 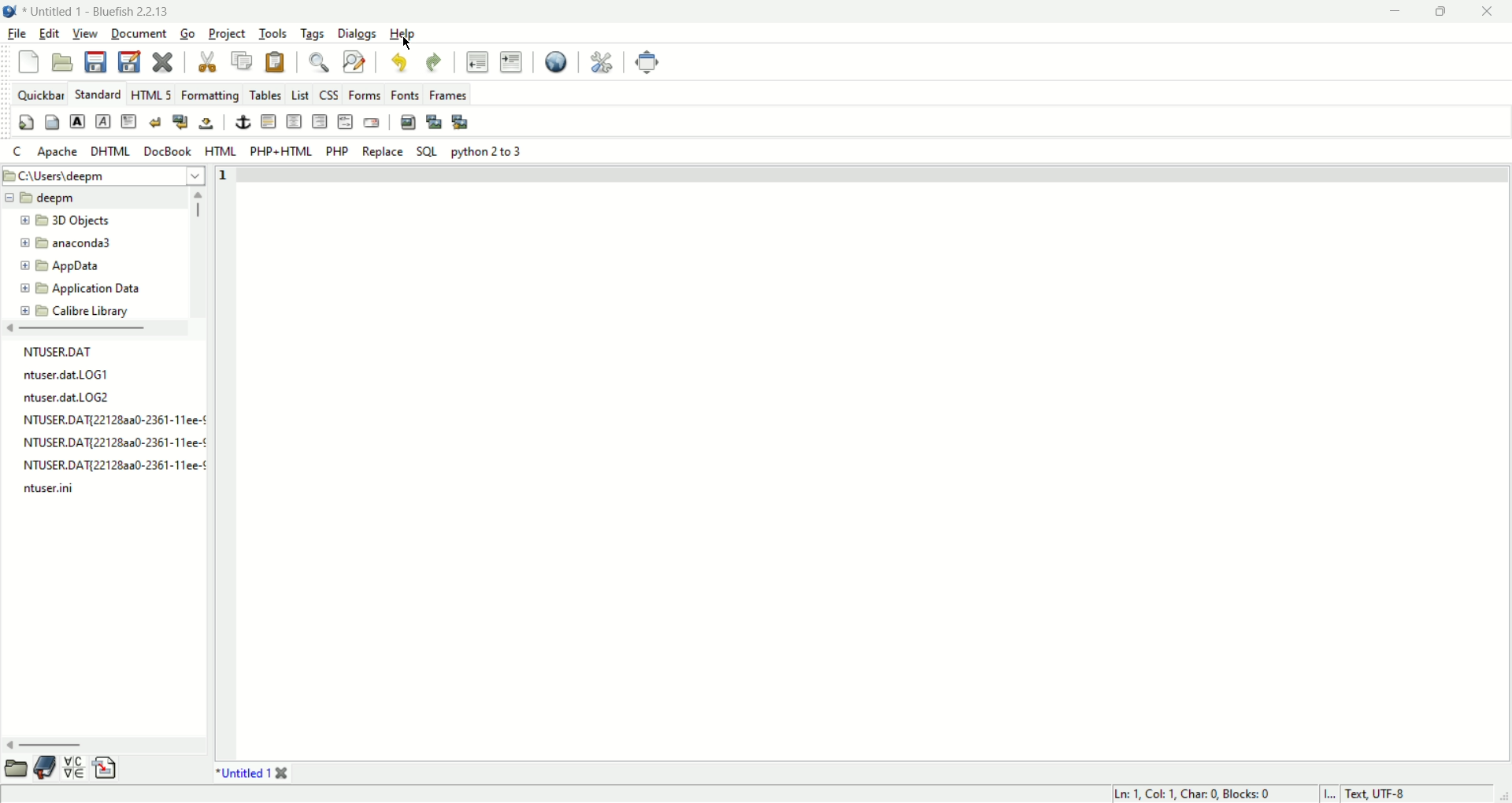 What do you see at coordinates (239, 773) in the screenshot?
I see `document tab` at bounding box center [239, 773].